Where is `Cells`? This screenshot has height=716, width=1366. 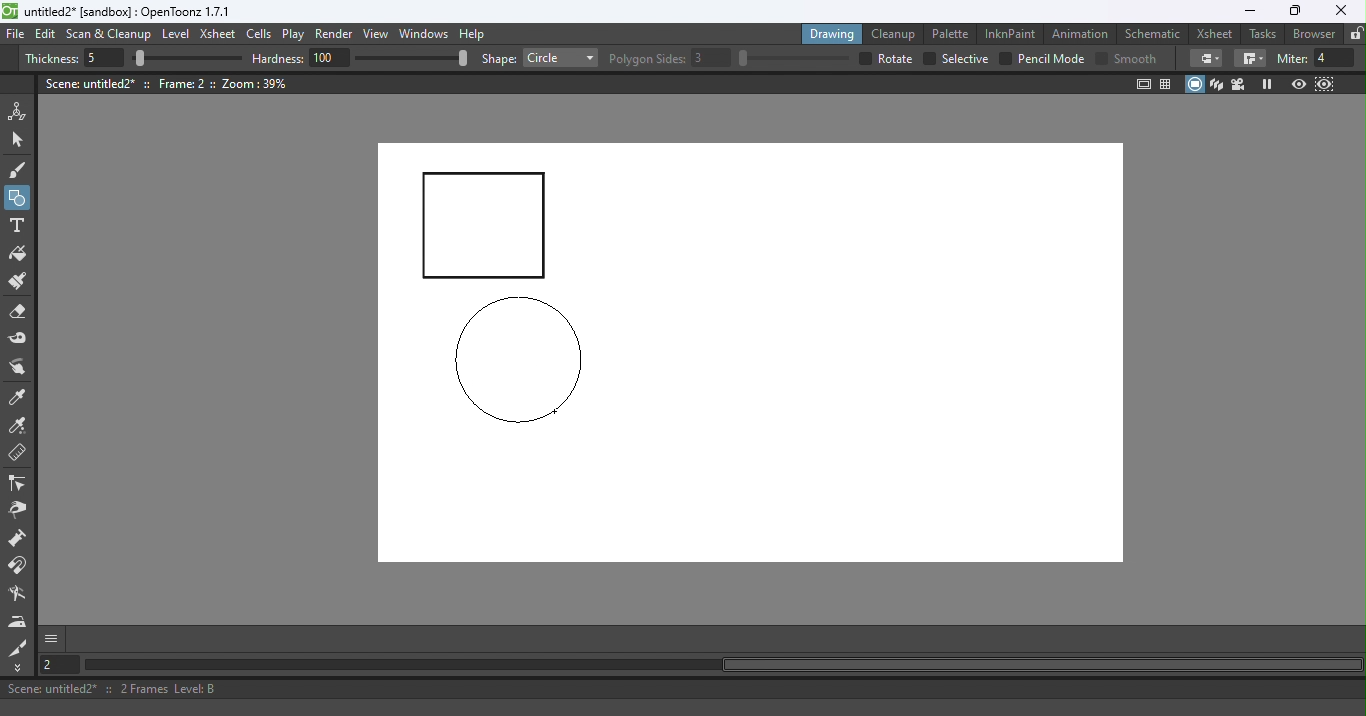
Cells is located at coordinates (262, 35).